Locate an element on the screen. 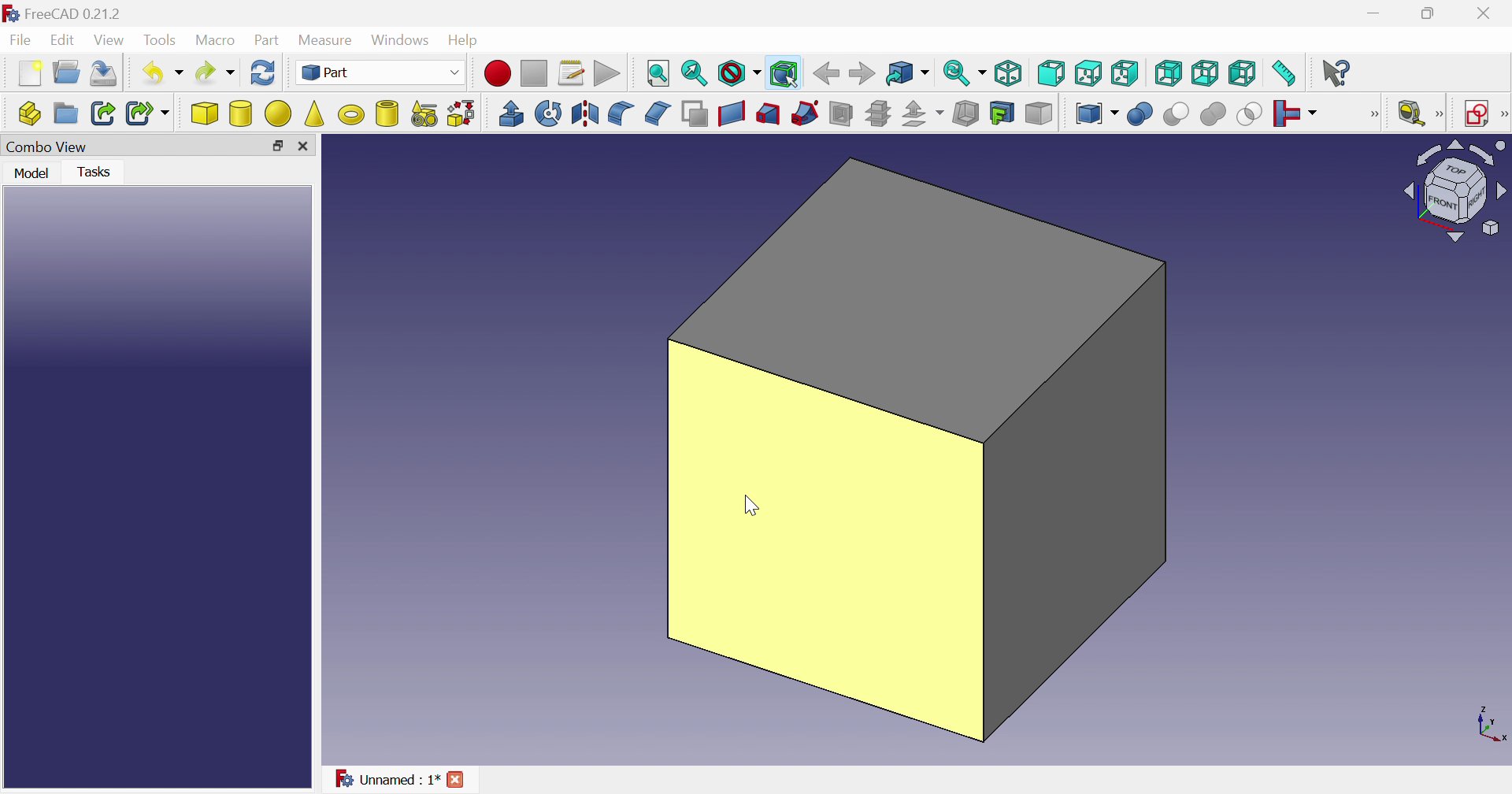 Image resolution: width=1512 pixels, height=794 pixels. Sphere is located at coordinates (279, 113).